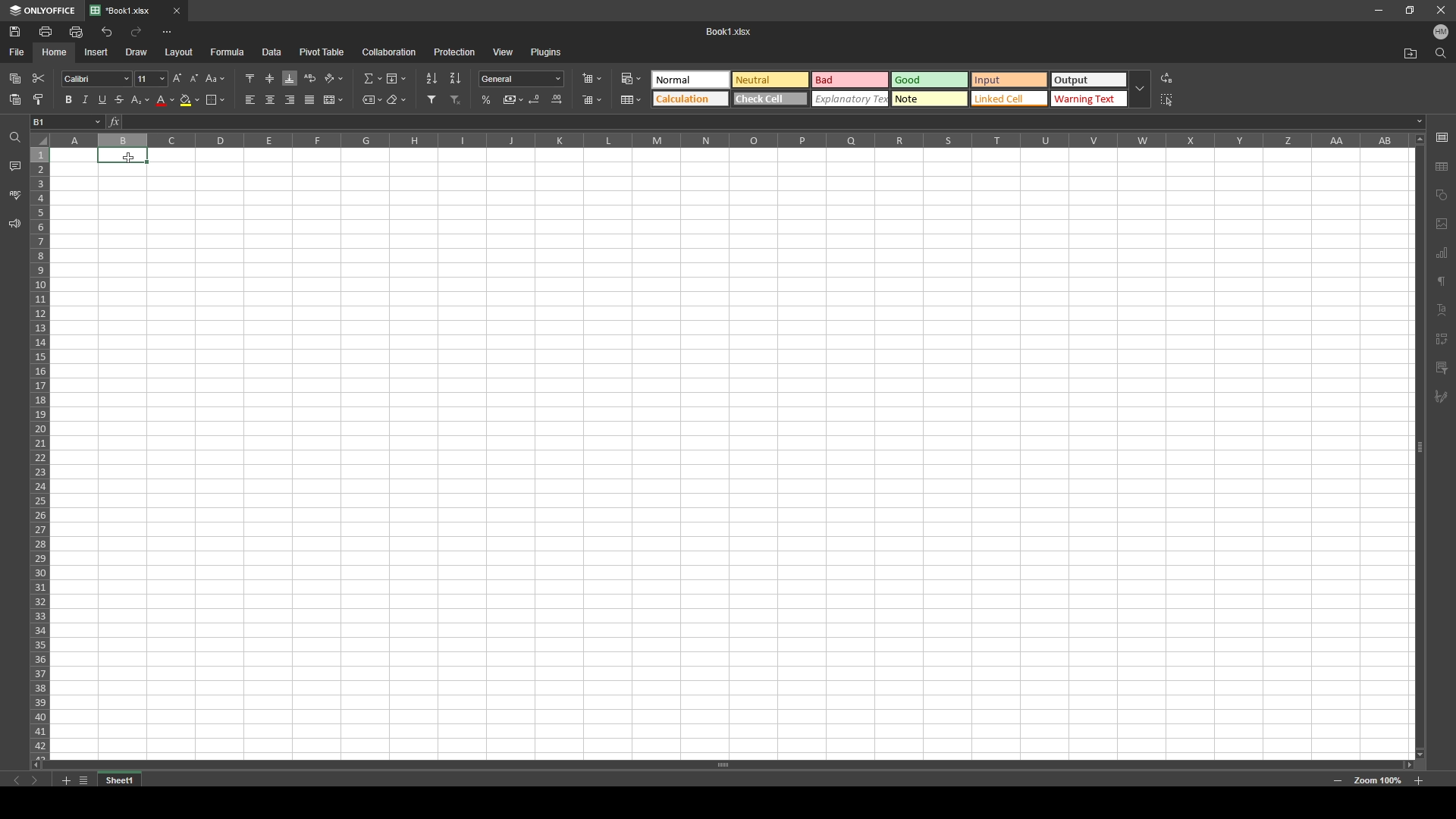  I want to click on Input, so click(1011, 80).